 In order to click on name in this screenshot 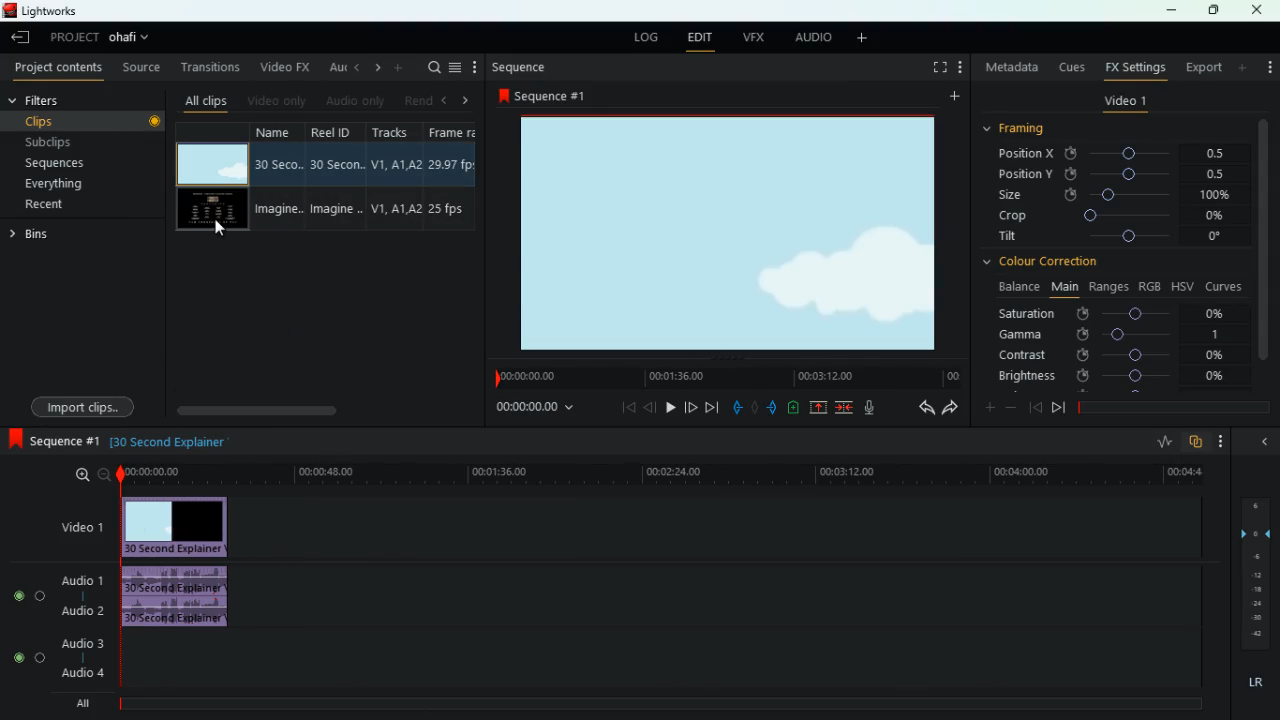, I will do `click(279, 178)`.